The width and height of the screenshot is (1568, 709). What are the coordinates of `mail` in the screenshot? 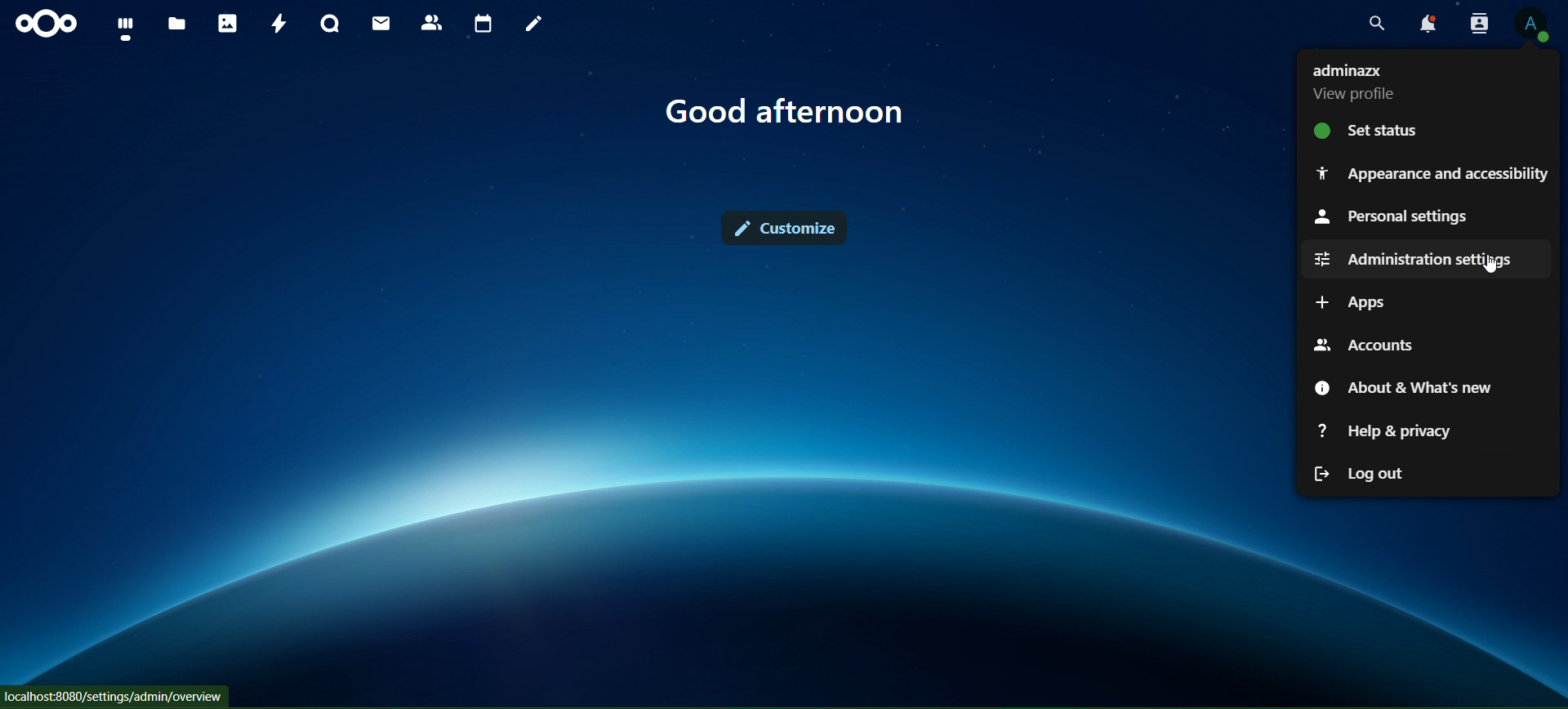 It's located at (381, 24).